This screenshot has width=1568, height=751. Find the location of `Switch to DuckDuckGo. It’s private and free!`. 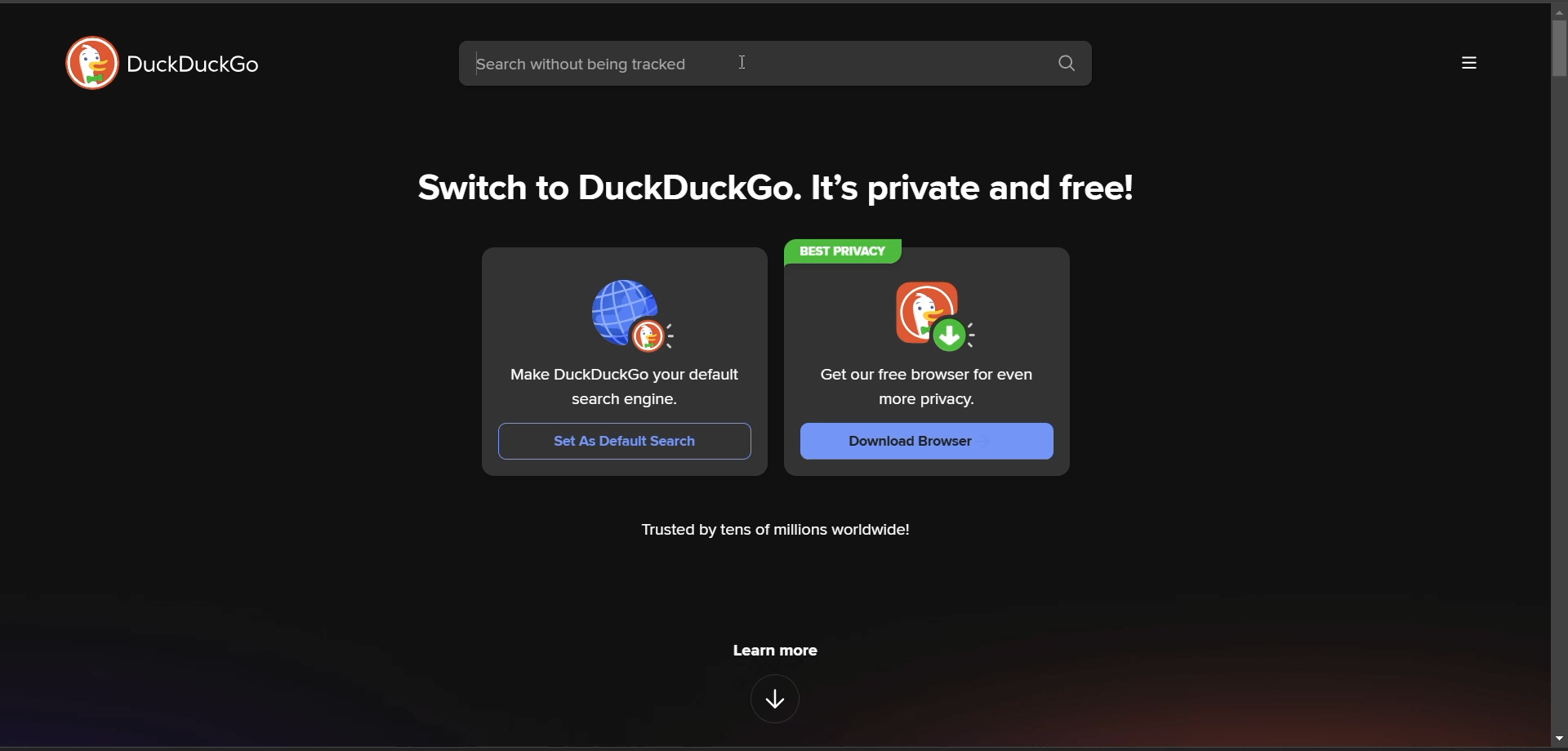

Switch to DuckDuckGo. It’s private and free! is located at coordinates (767, 184).